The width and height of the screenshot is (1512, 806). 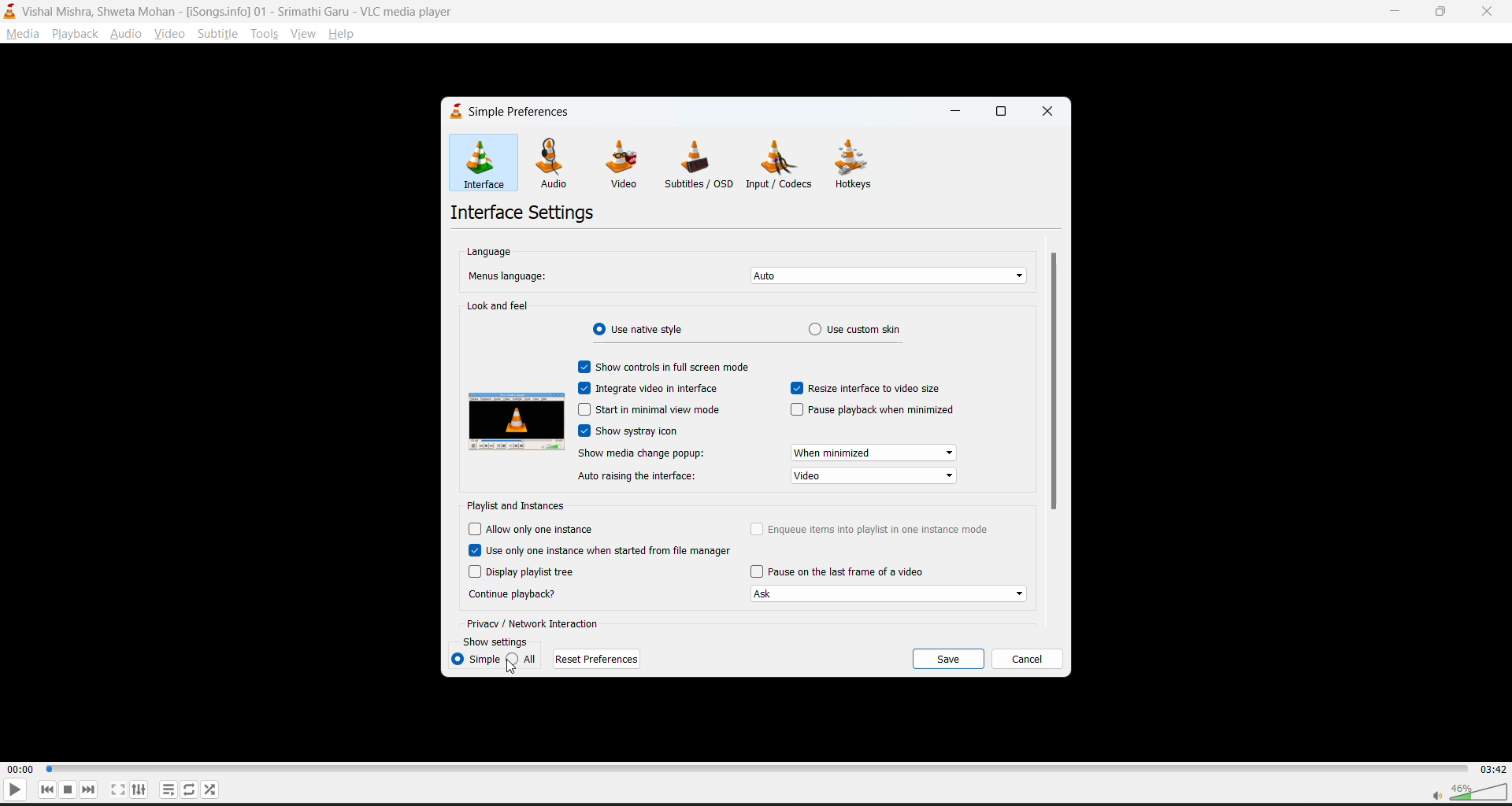 I want to click on input/codecs, so click(x=779, y=165).